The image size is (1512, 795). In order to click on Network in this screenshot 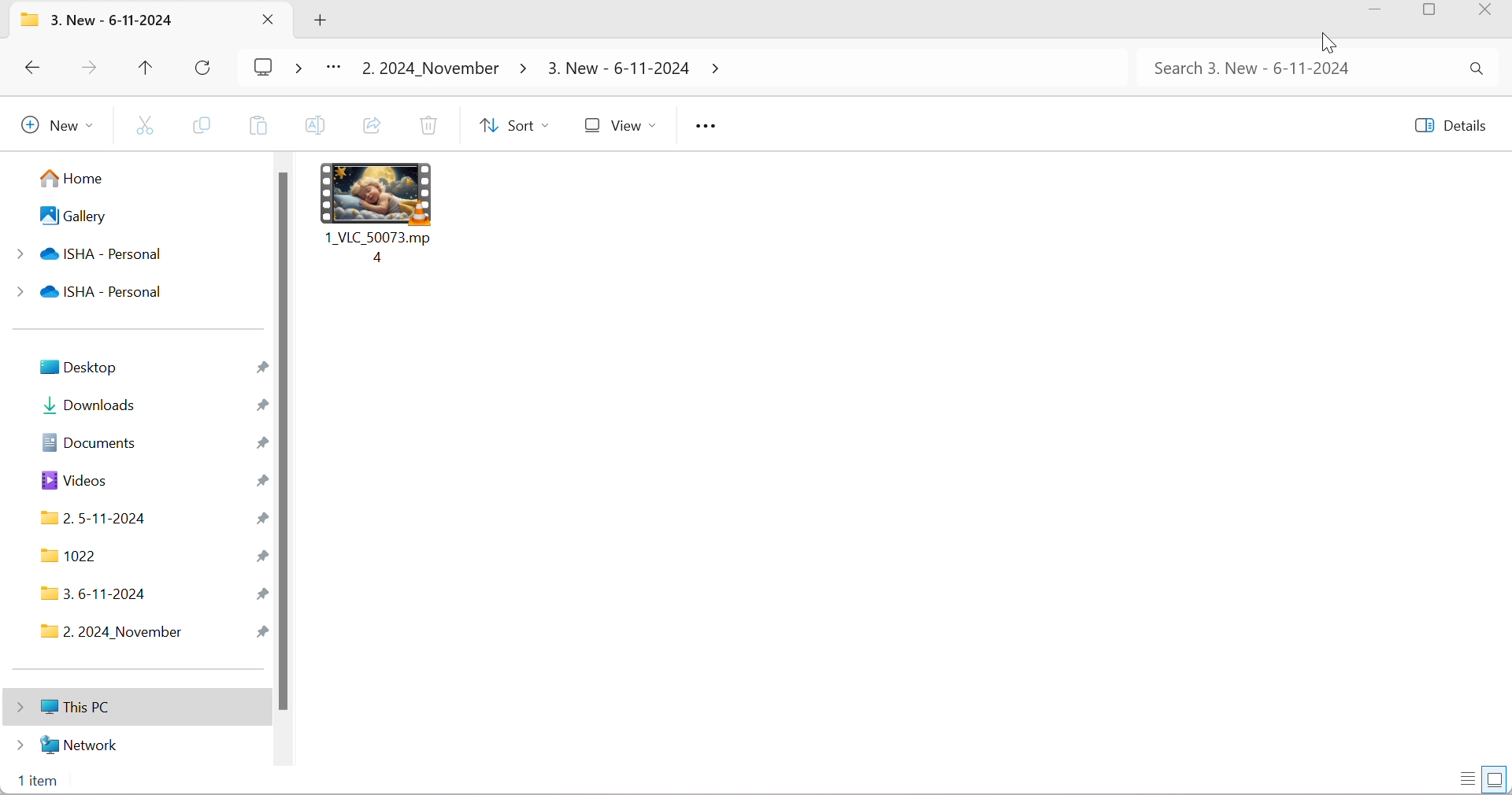, I will do `click(70, 743)`.